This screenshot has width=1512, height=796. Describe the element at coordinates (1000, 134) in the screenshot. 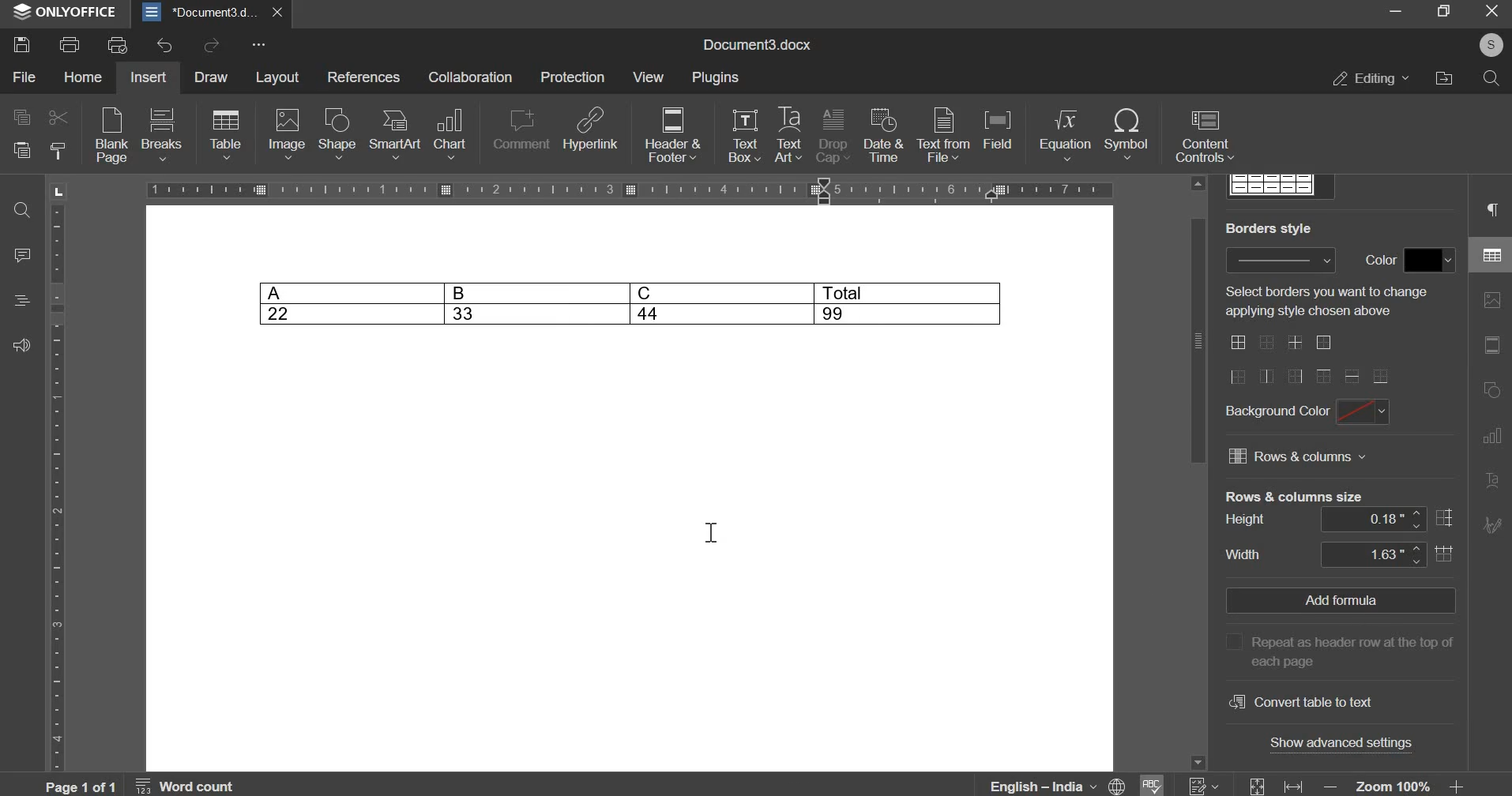

I see `field` at that location.